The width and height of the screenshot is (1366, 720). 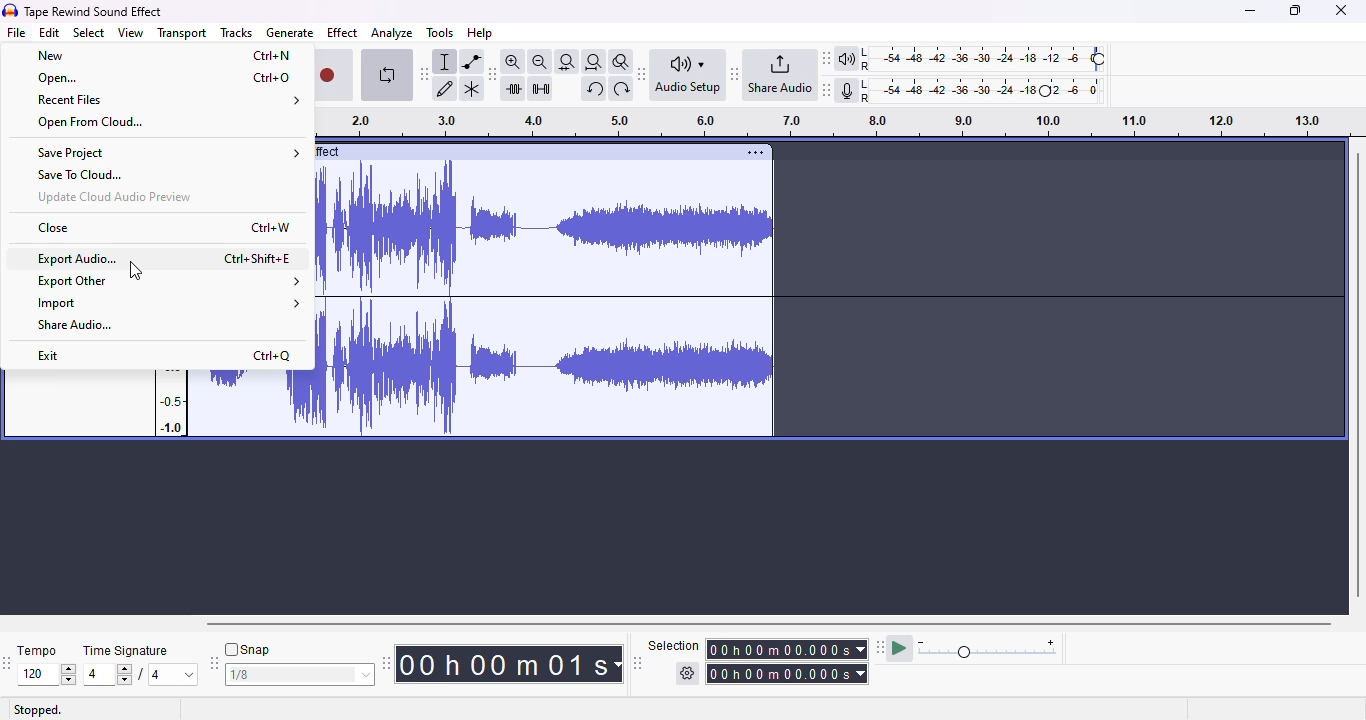 I want to click on transport, so click(x=183, y=33).